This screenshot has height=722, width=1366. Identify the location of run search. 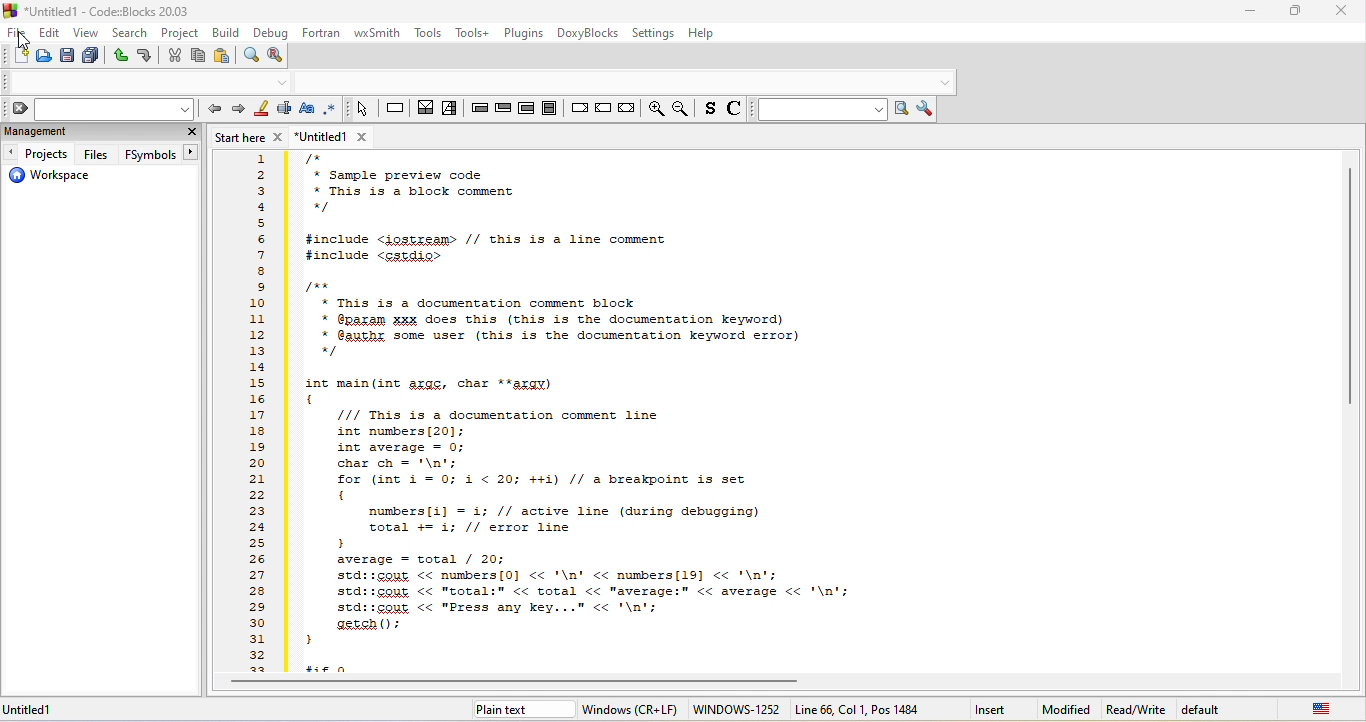
(904, 110).